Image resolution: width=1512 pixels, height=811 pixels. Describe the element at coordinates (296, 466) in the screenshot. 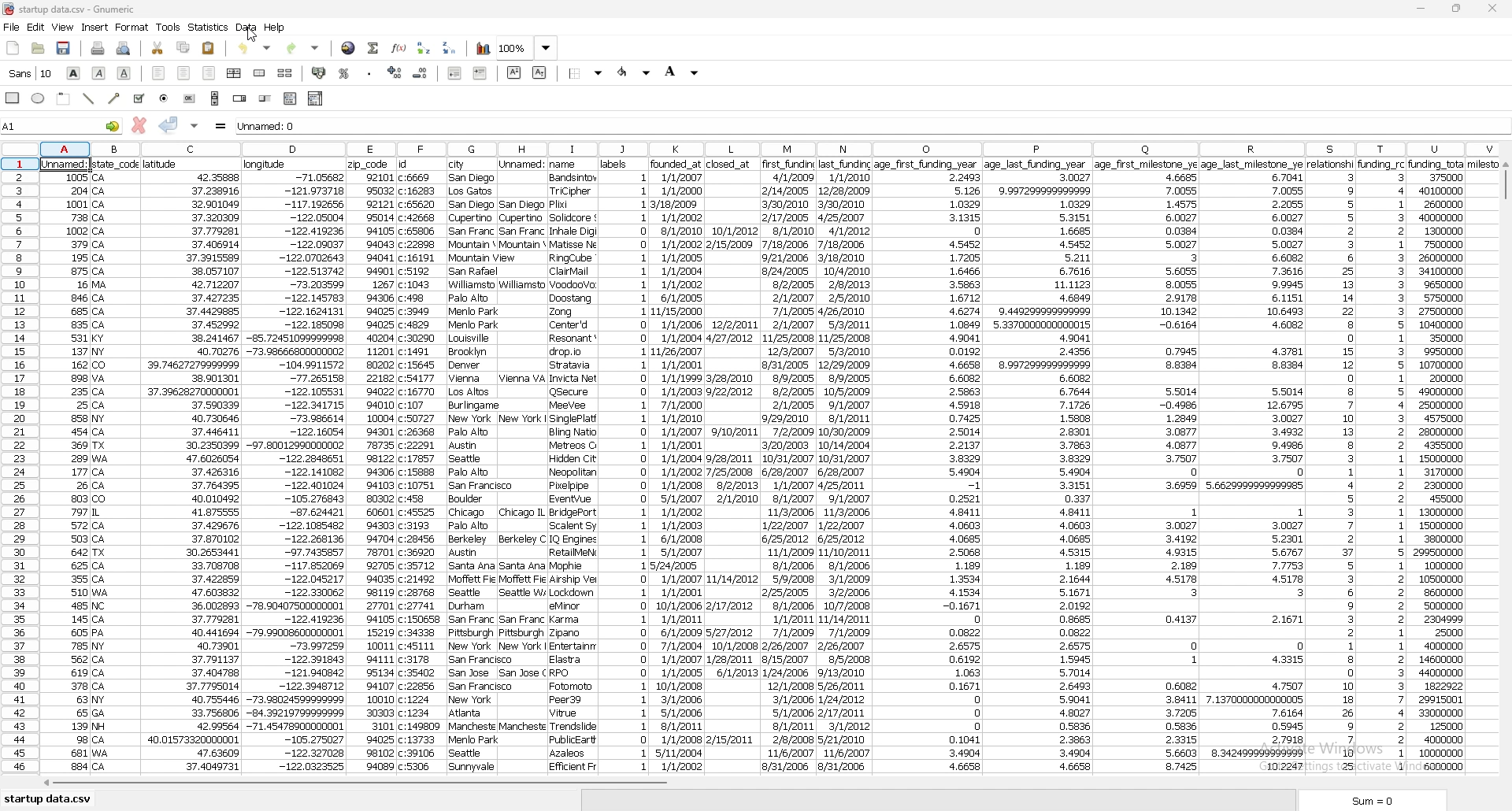

I see `data` at that location.